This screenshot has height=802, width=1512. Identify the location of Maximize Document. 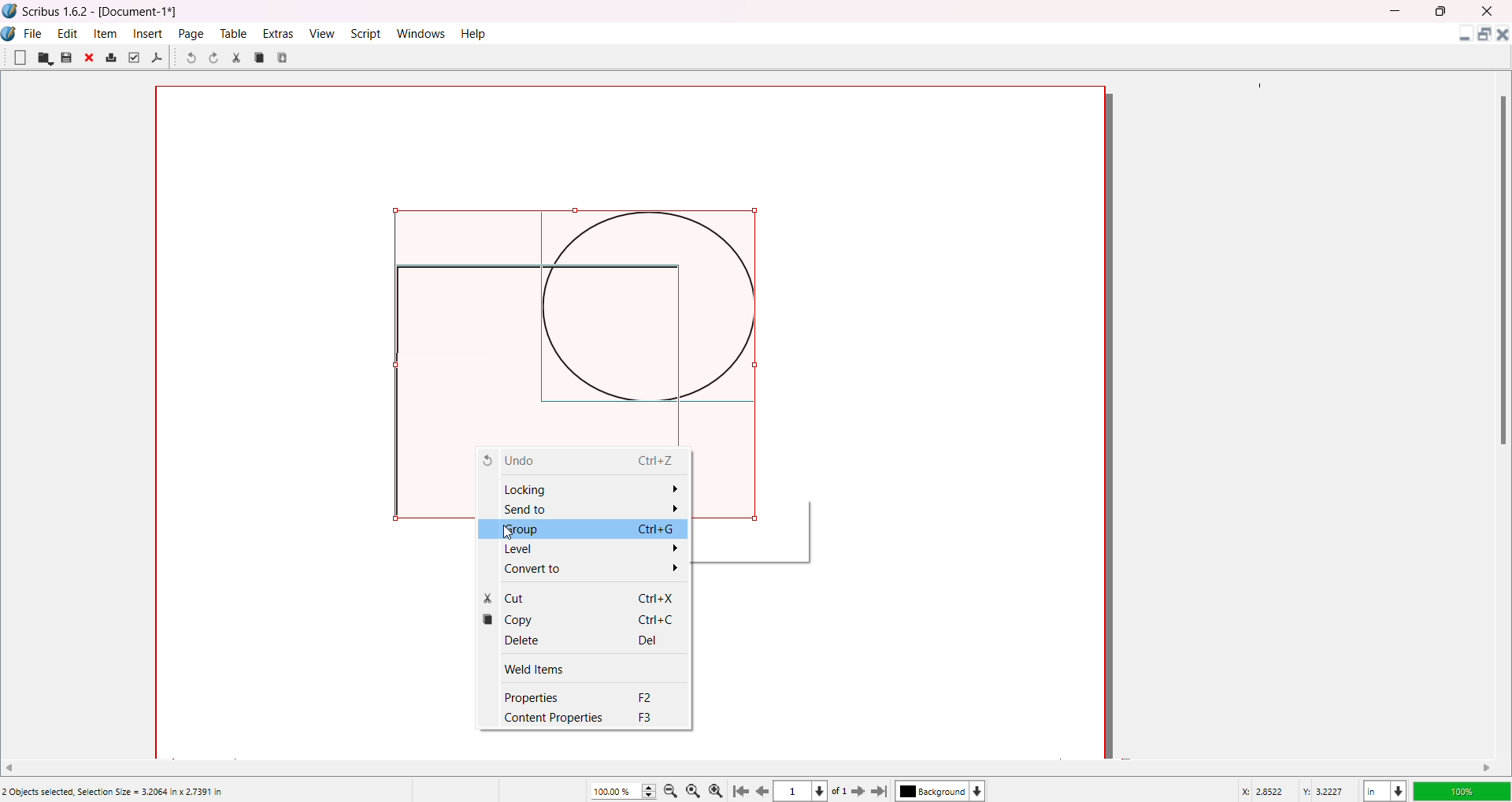
(1483, 37).